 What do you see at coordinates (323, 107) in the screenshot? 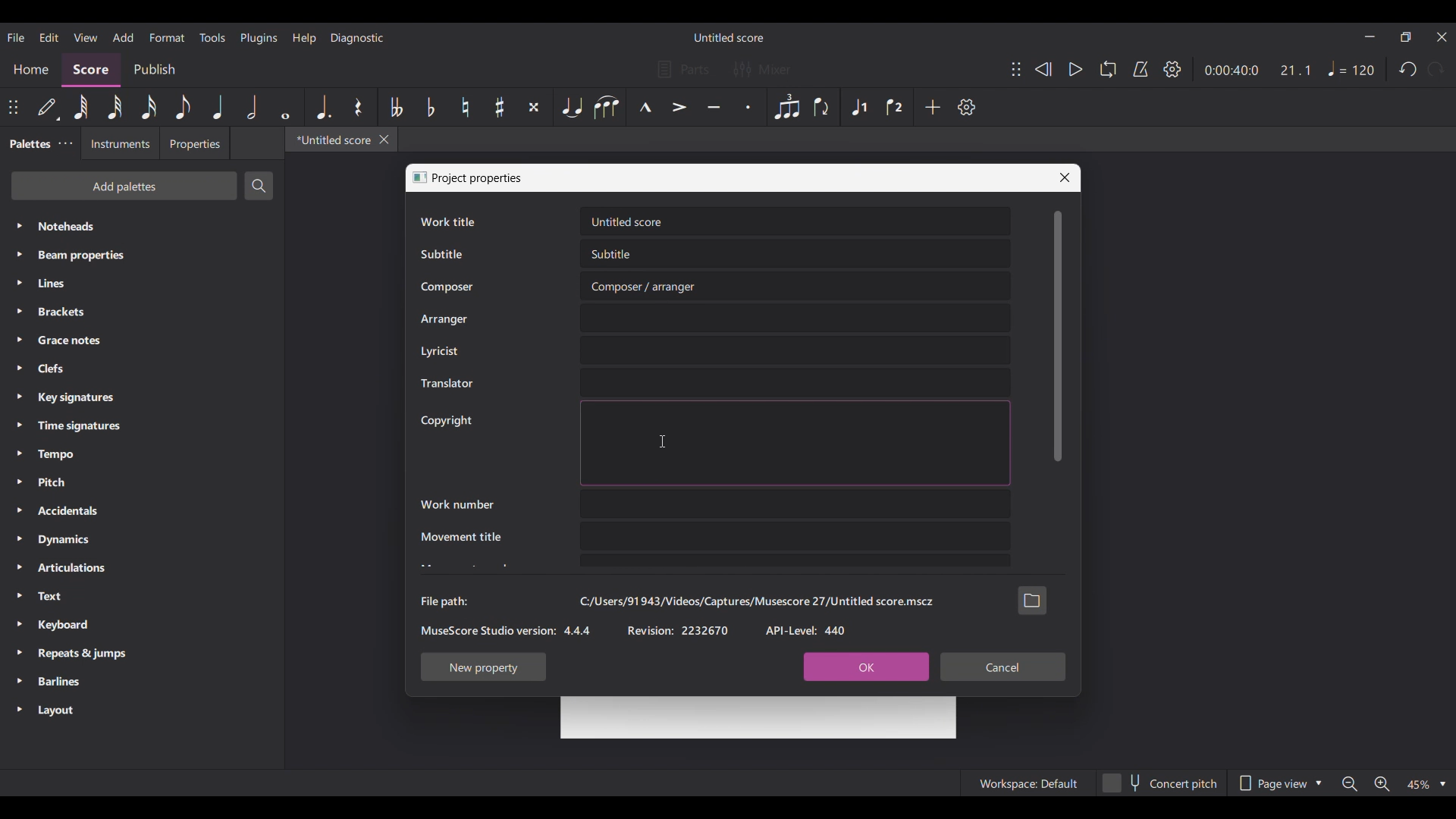
I see `Augmentation dot` at bounding box center [323, 107].